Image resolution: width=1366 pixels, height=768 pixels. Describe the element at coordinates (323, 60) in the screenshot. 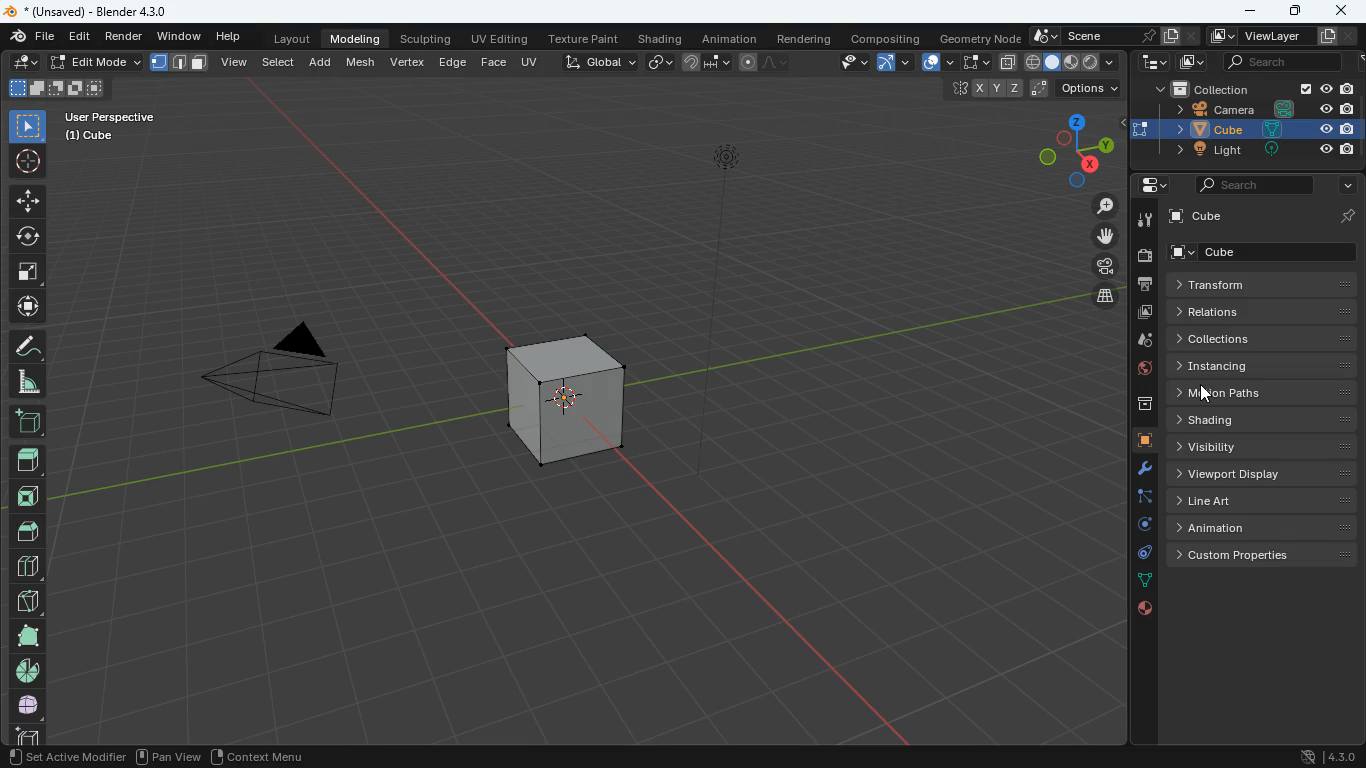

I see `add` at that location.